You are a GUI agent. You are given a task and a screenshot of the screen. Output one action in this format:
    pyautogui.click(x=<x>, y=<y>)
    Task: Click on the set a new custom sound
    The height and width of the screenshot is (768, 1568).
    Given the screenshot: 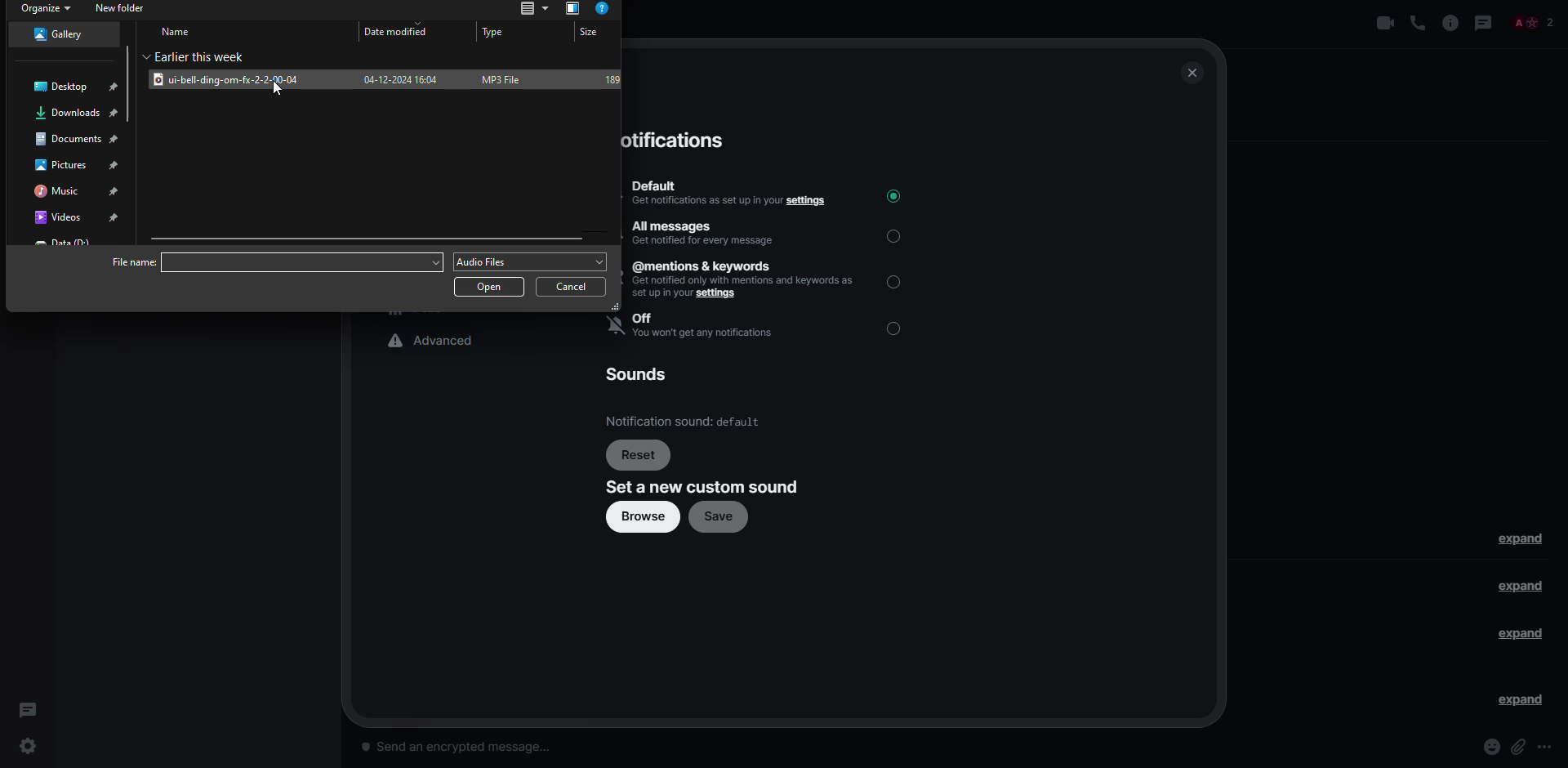 What is the action you would take?
    pyautogui.click(x=706, y=486)
    